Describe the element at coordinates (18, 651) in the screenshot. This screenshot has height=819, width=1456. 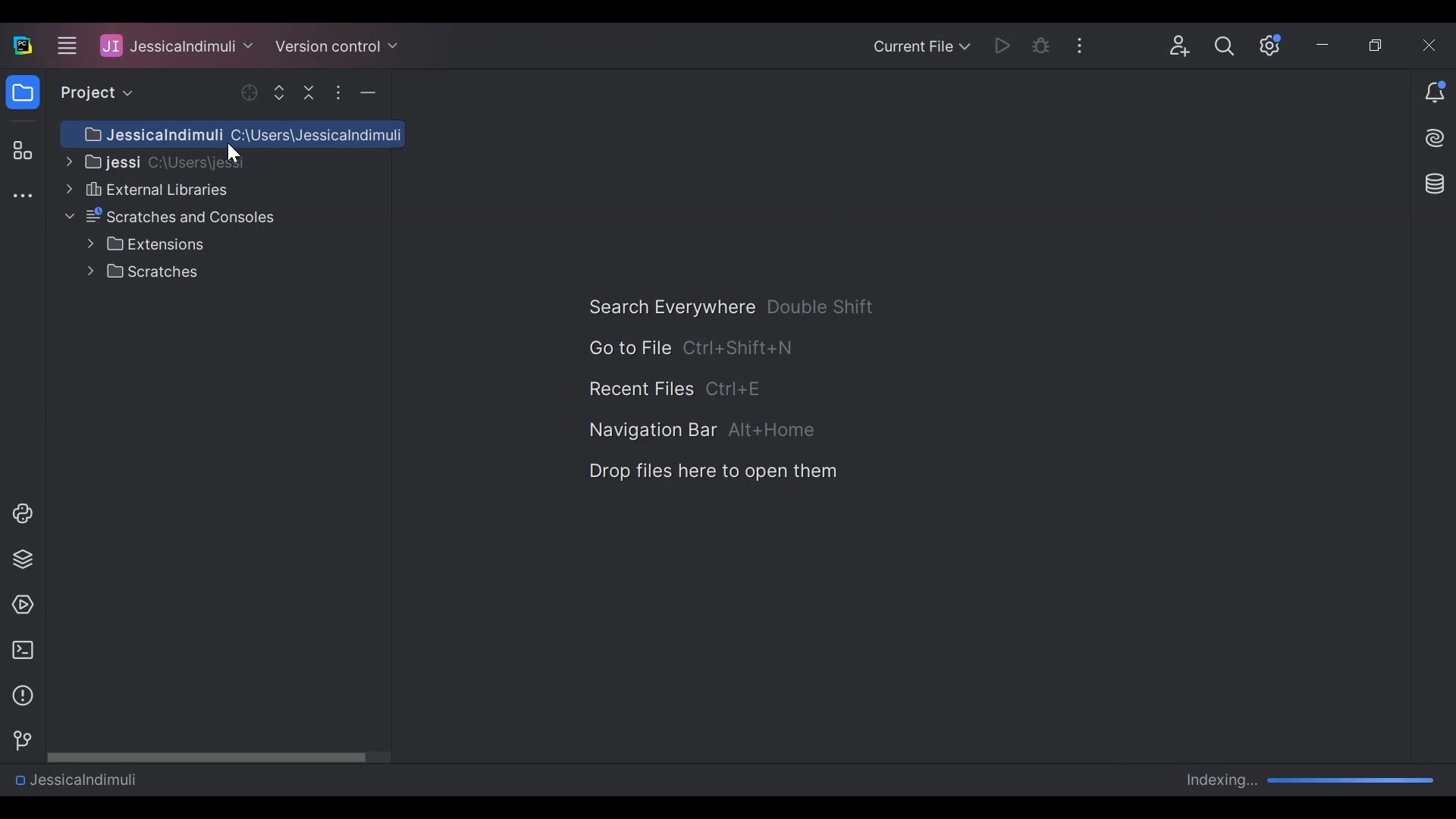
I see `terminal` at that location.